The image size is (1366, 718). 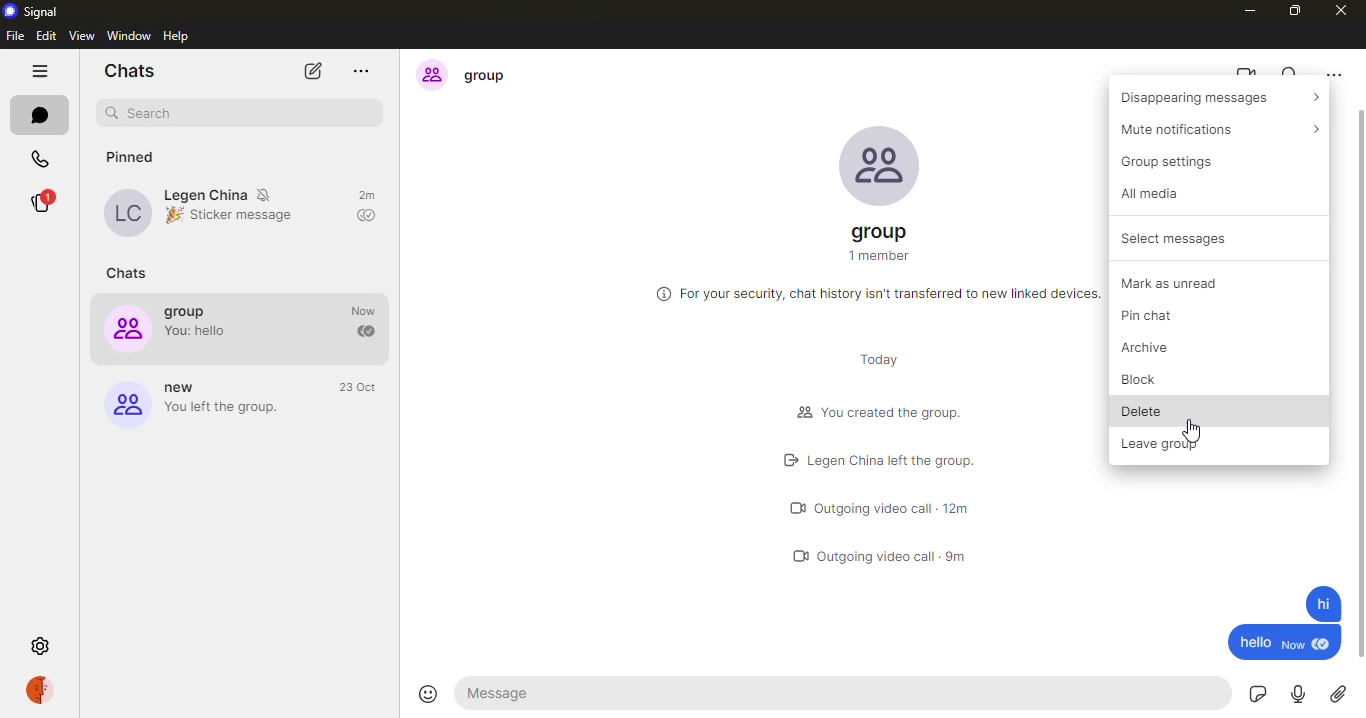 I want to click on profile icon, so click(x=127, y=329).